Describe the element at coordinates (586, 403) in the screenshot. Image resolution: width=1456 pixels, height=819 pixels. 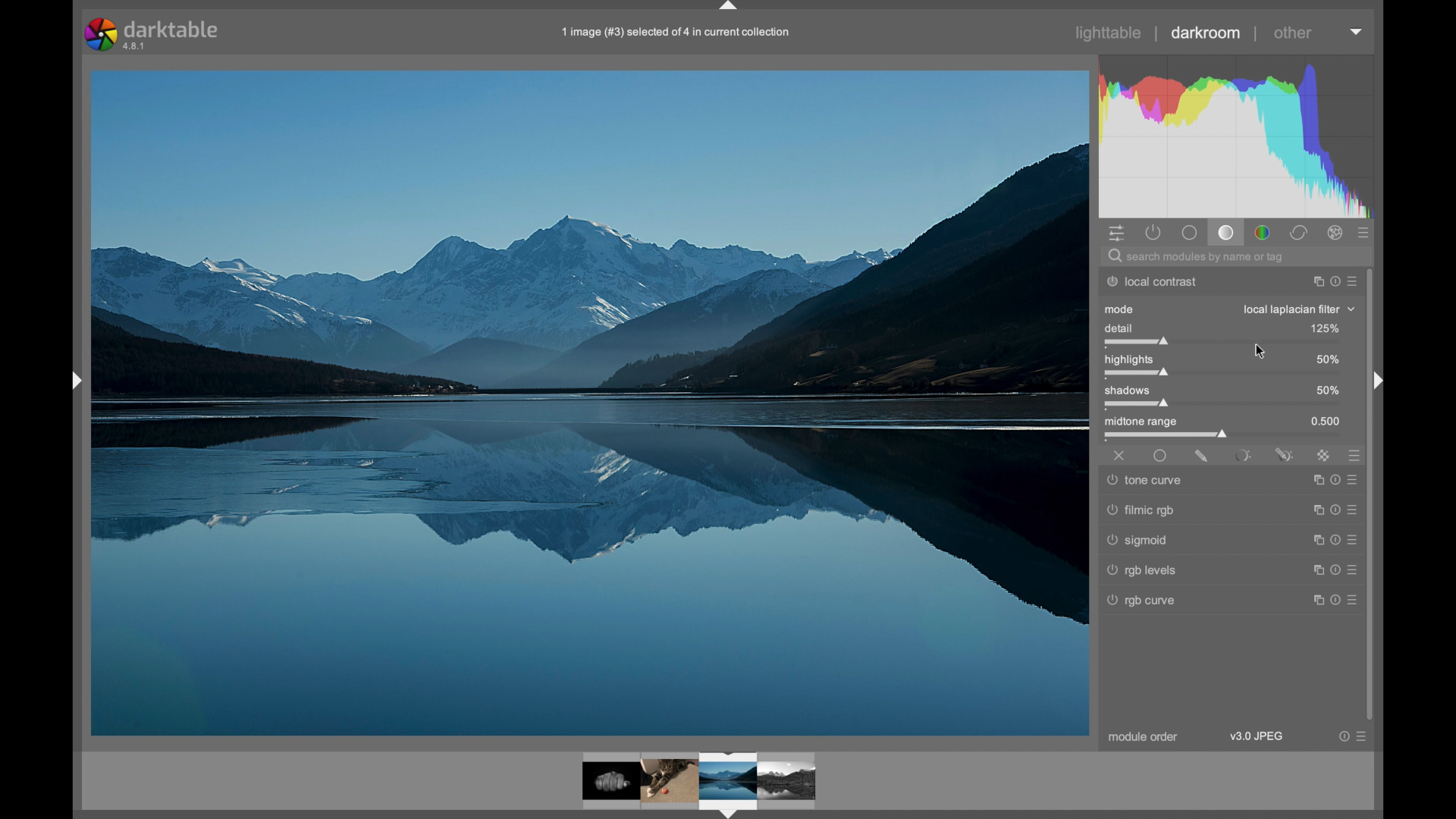
I see `photo` at that location.